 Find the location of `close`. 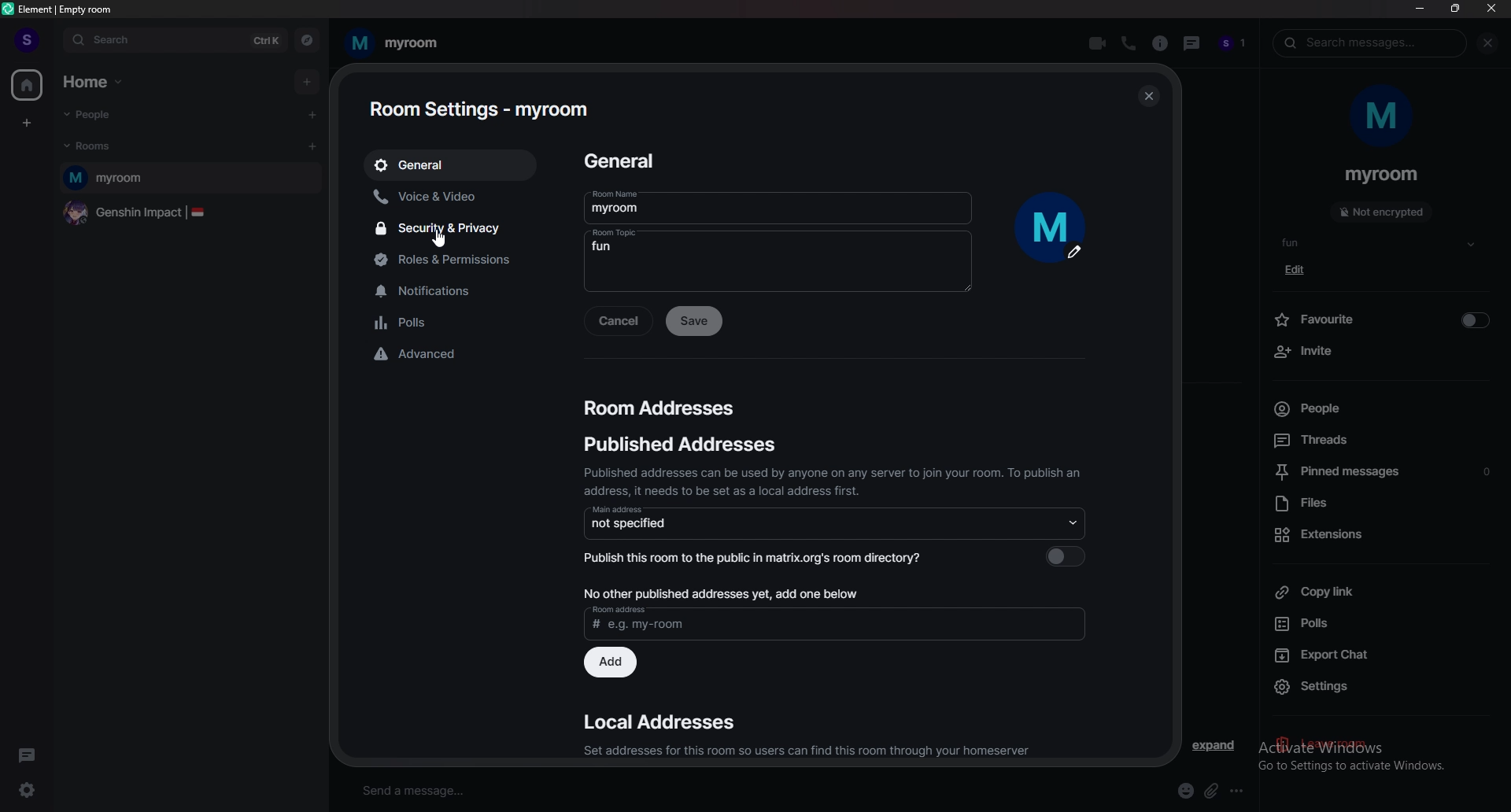

close is located at coordinates (1491, 9).